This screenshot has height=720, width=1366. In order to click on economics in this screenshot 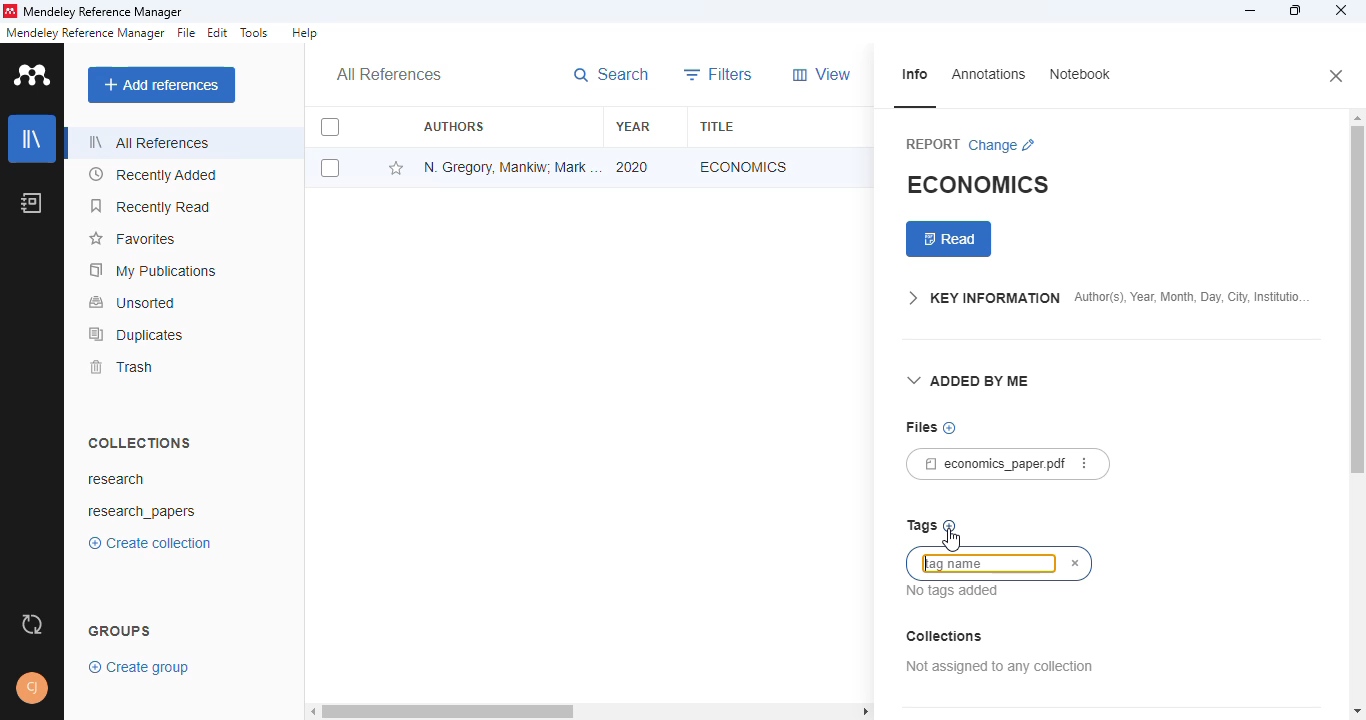, I will do `click(744, 166)`.